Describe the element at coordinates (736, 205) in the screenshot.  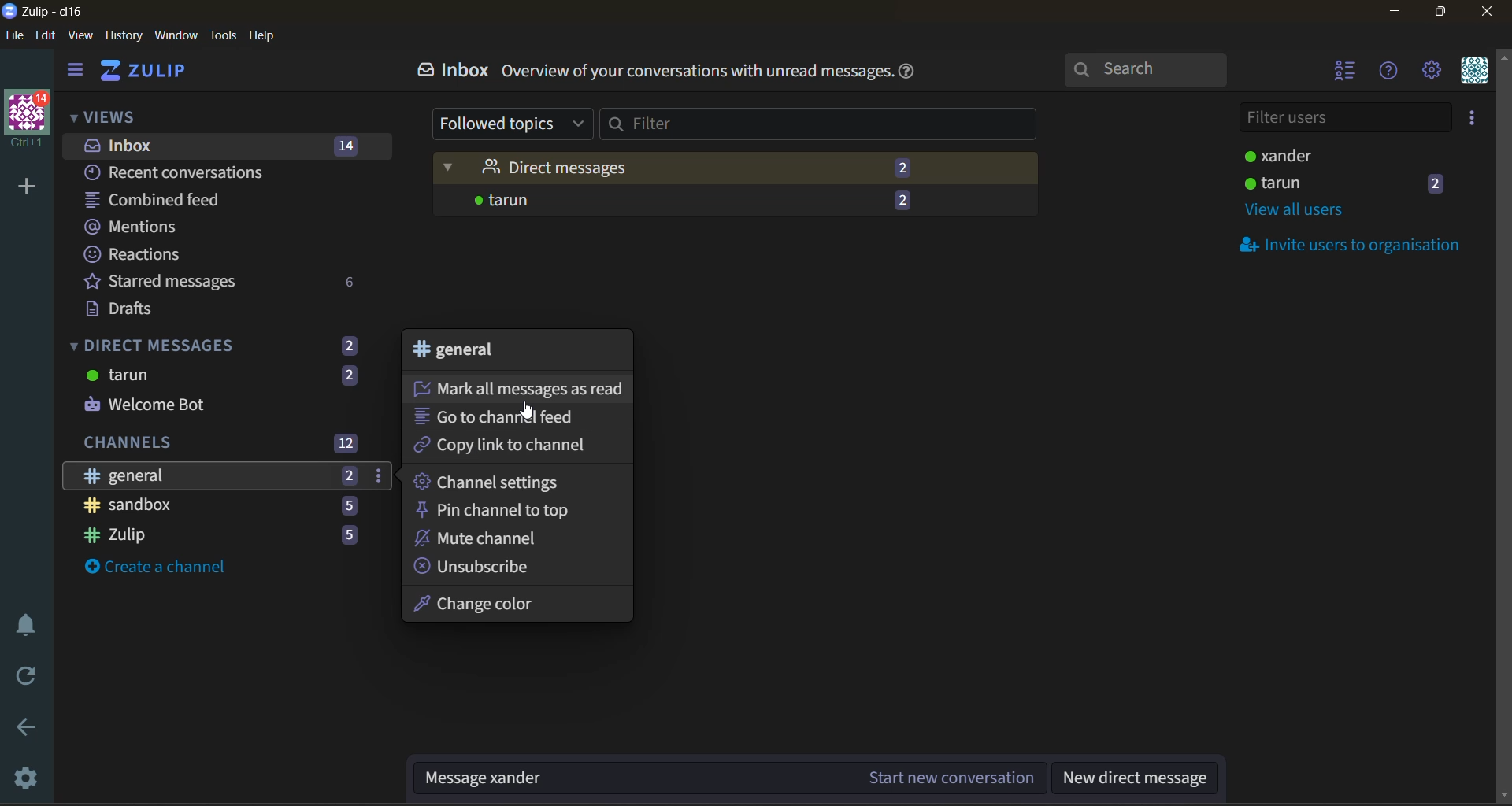
I see `tarun -2 (messages)` at that location.